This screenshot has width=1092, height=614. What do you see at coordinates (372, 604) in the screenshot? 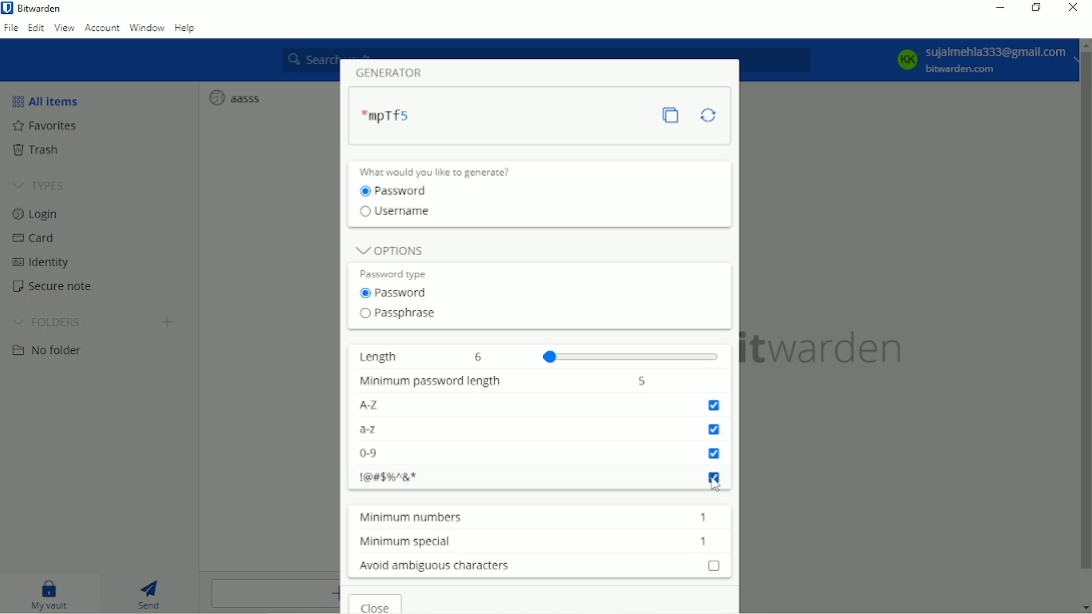
I see `Close` at bounding box center [372, 604].